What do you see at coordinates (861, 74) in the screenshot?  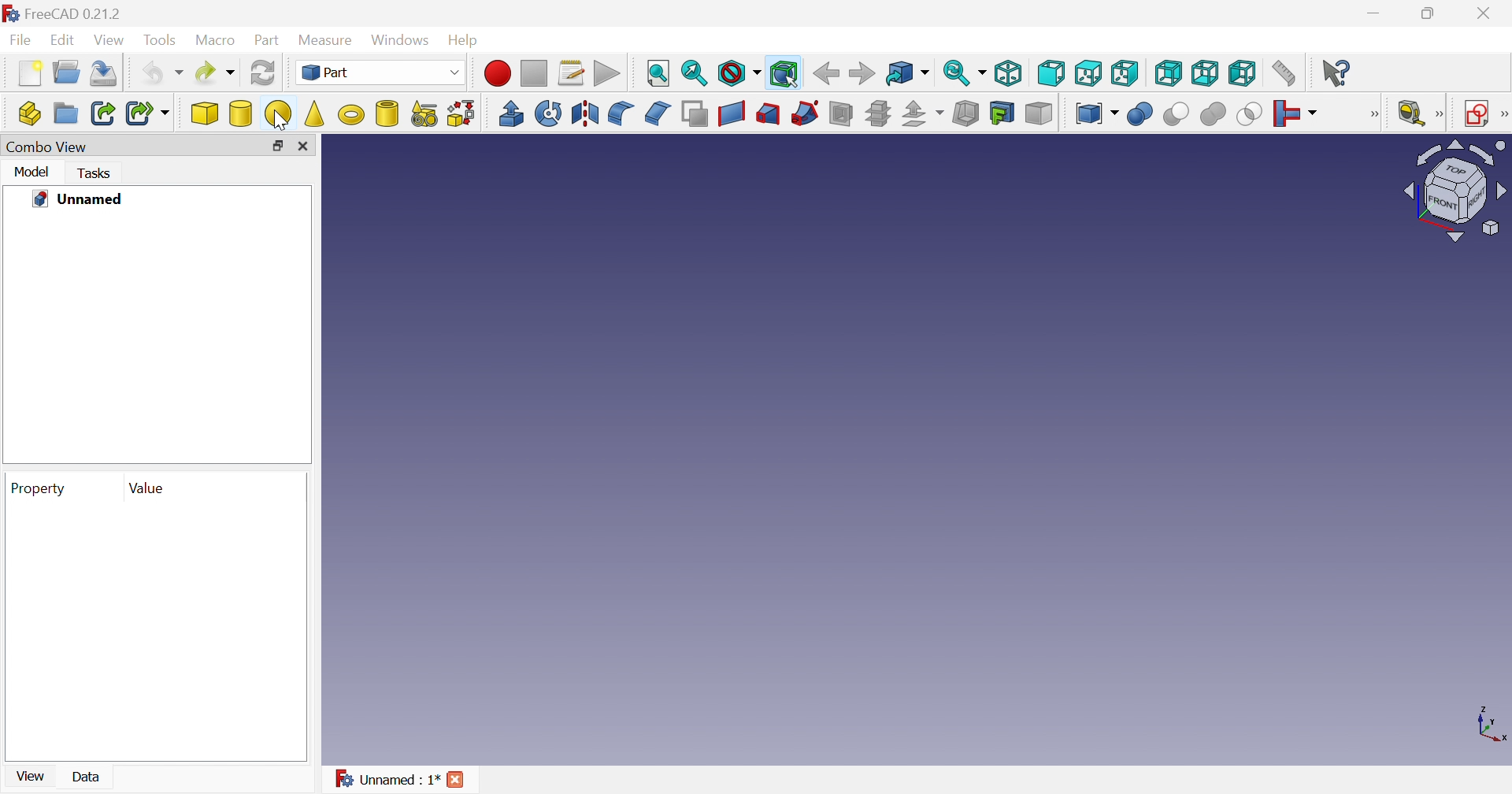 I see `Forward` at bounding box center [861, 74].